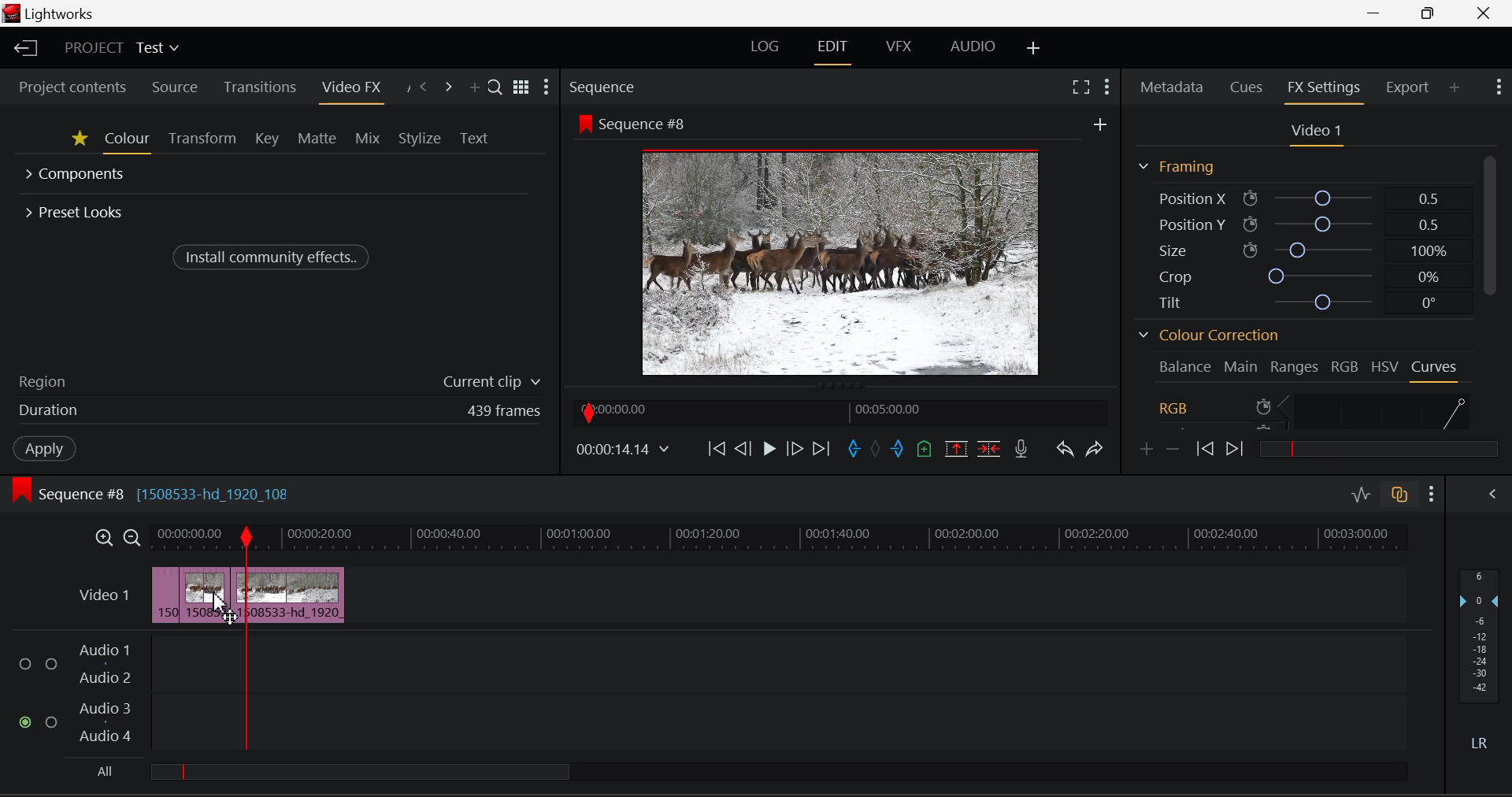 The height and width of the screenshot is (797, 1512). What do you see at coordinates (1312, 132) in the screenshot?
I see `Video Settings` at bounding box center [1312, 132].